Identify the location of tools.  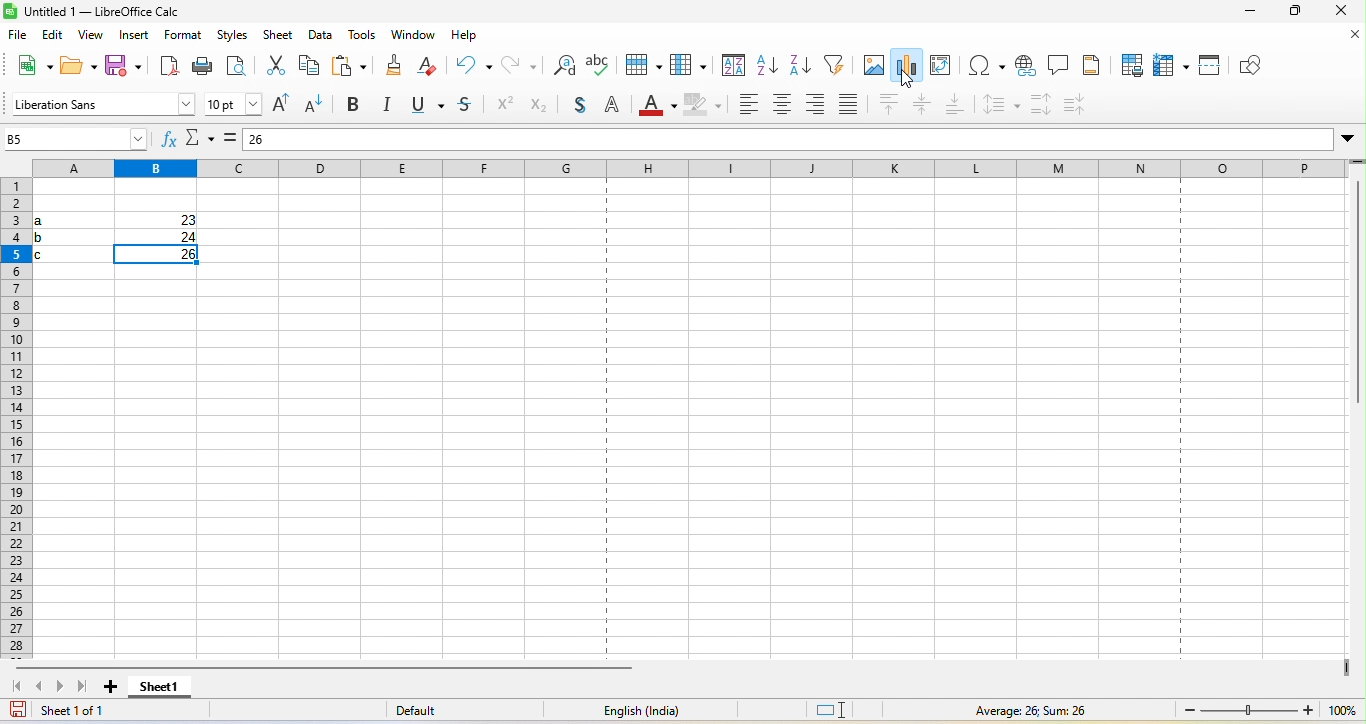
(362, 37).